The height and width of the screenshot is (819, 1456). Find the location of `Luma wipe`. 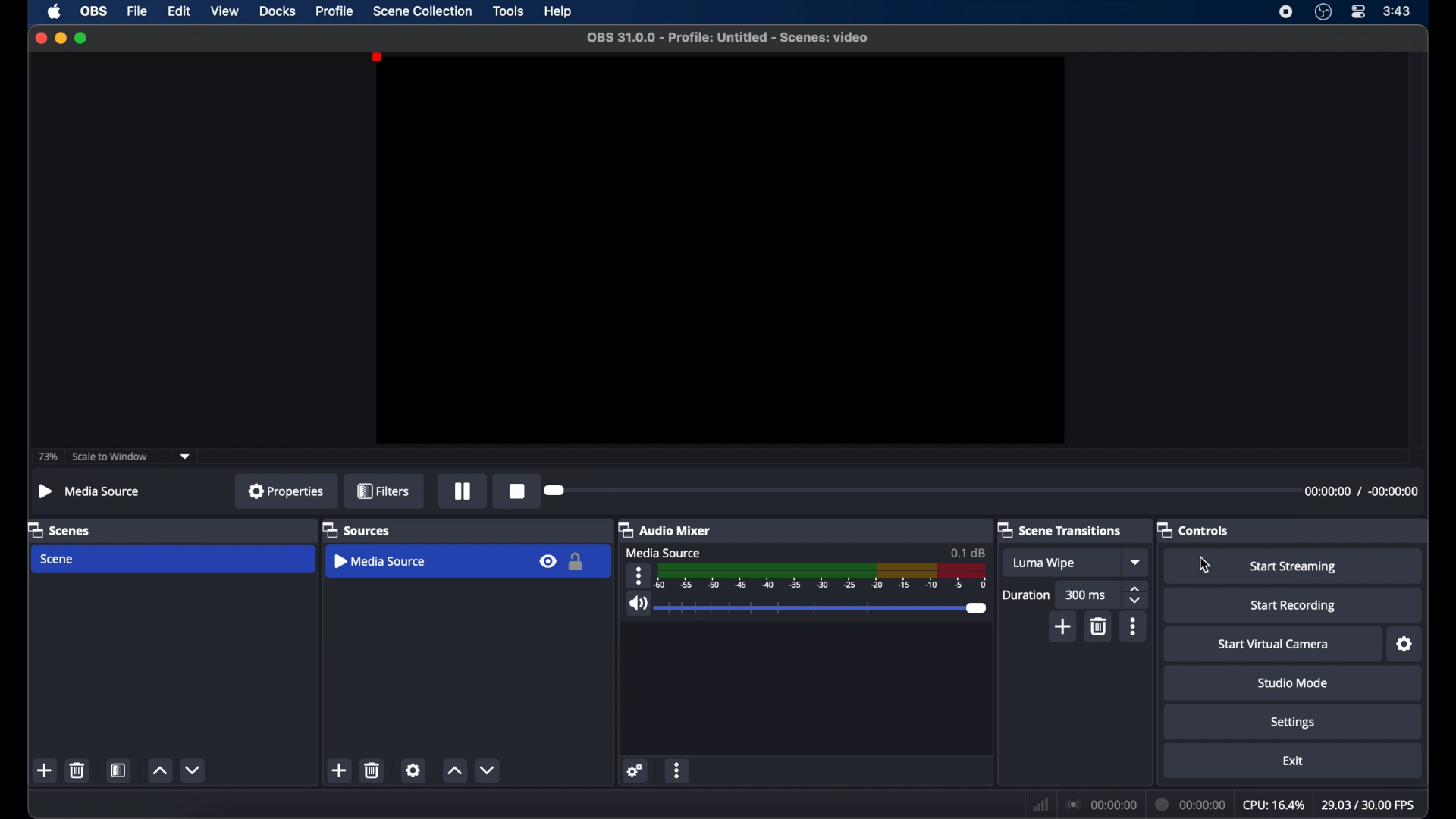

Luma wipe is located at coordinates (1043, 565).